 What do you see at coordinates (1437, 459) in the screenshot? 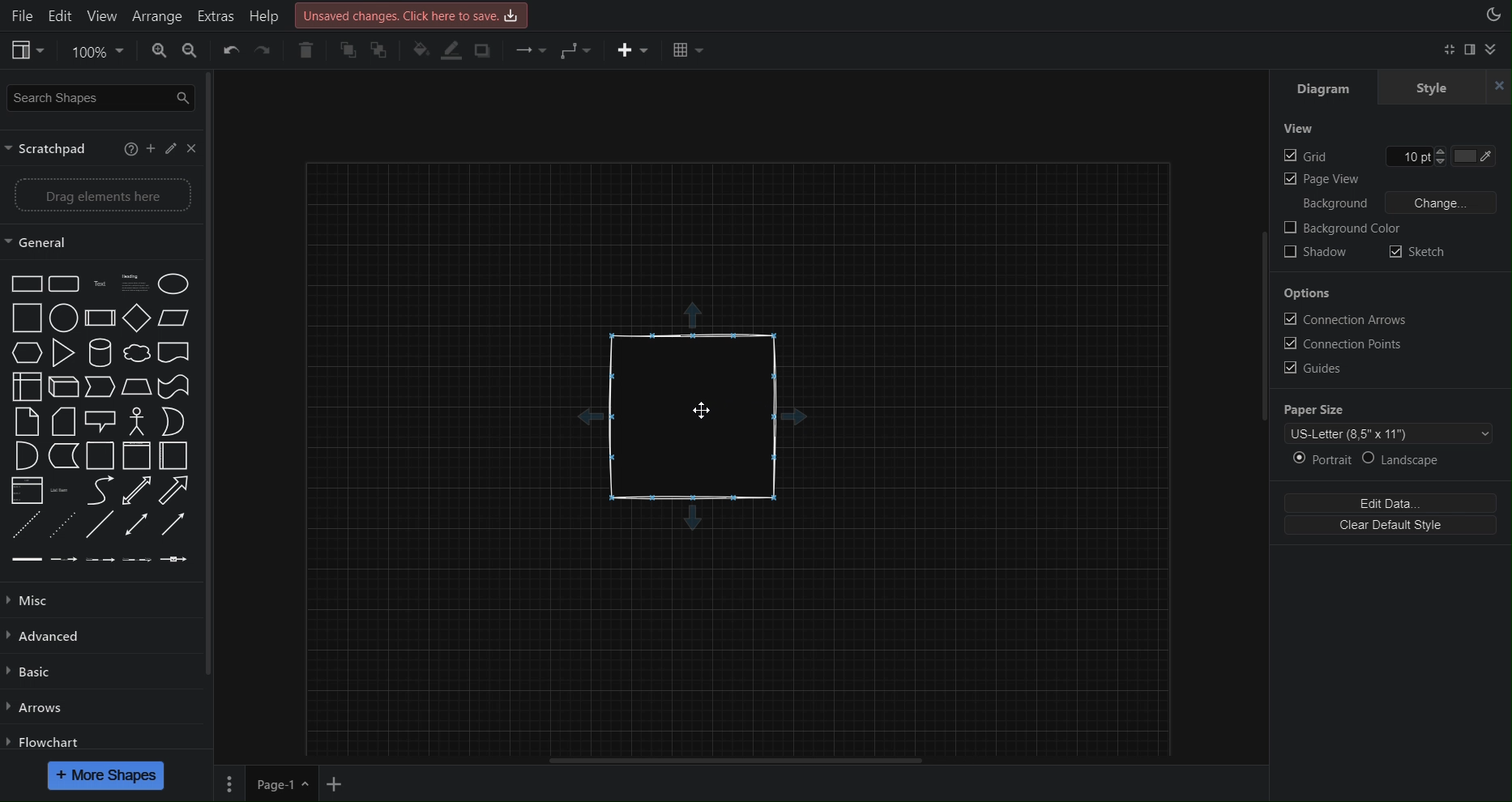
I see `Landscape` at bounding box center [1437, 459].